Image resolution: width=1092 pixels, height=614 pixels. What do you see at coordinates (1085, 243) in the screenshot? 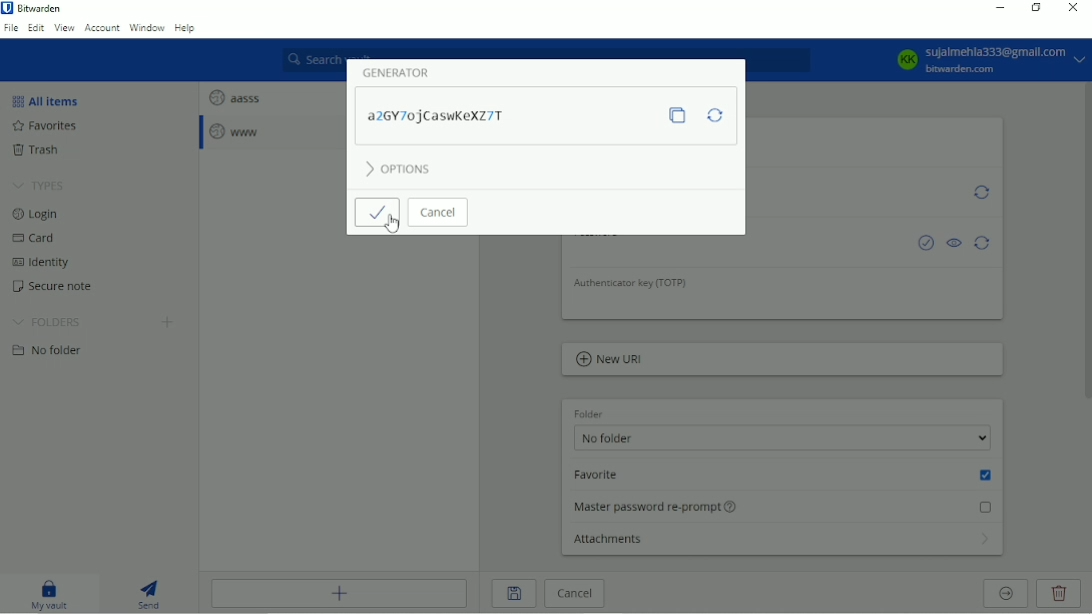
I see `Vertical scrollbar` at bounding box center [1085, 243].